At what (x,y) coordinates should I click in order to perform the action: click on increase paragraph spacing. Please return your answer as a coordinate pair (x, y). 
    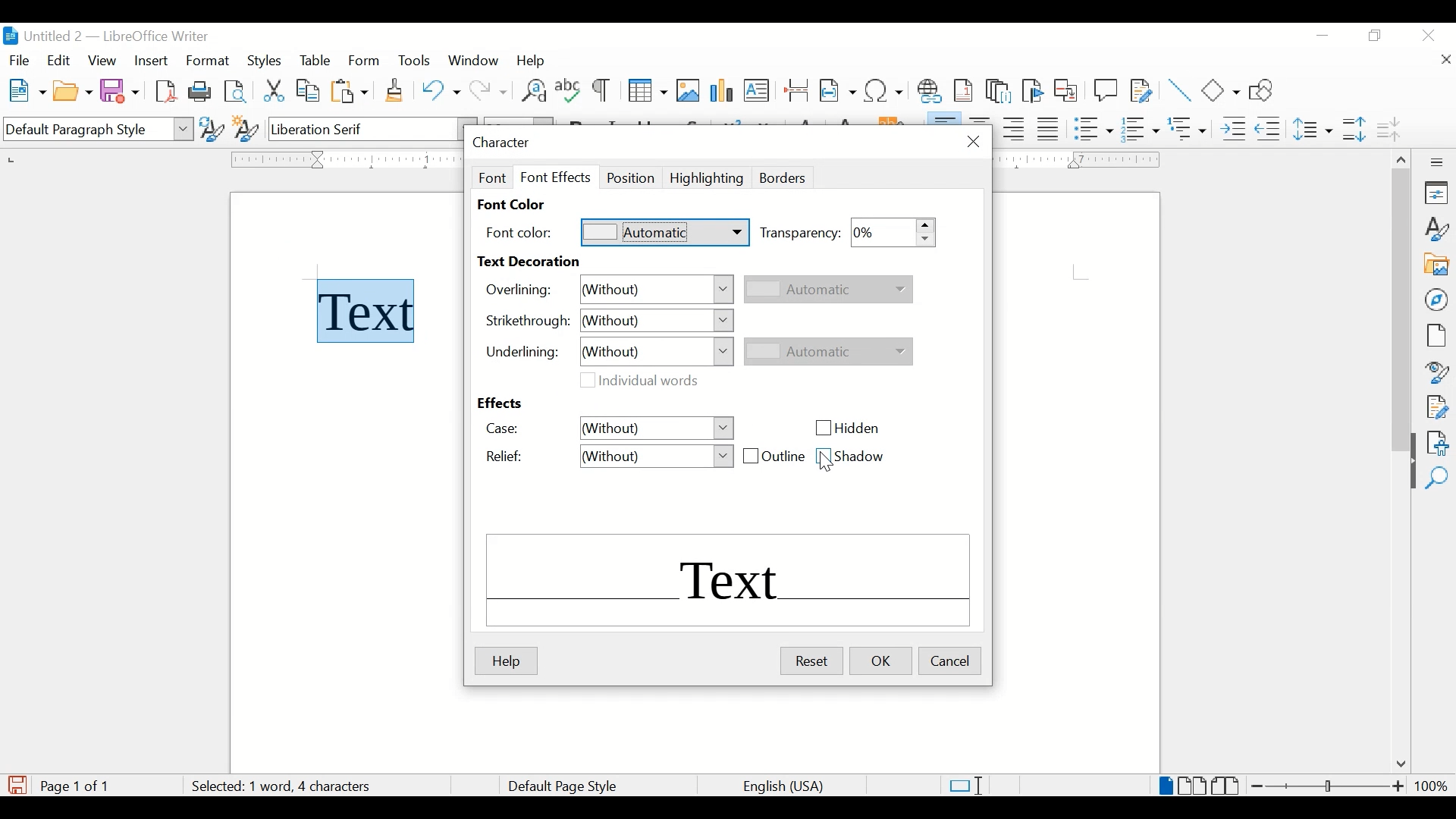
    Looking at the image, I should click on (1354, 129).